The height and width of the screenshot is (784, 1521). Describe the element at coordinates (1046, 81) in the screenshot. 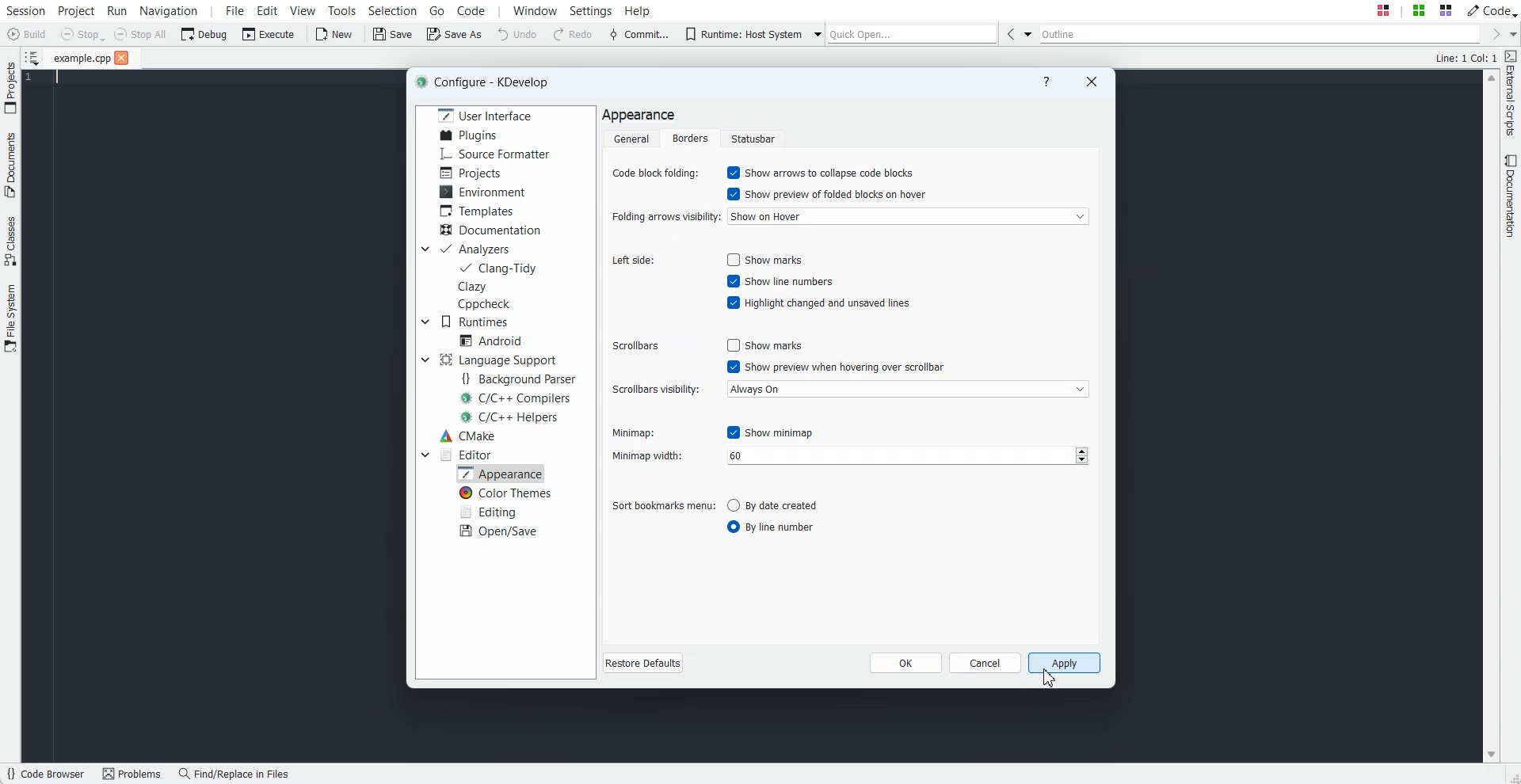

I see `Help` at that location.